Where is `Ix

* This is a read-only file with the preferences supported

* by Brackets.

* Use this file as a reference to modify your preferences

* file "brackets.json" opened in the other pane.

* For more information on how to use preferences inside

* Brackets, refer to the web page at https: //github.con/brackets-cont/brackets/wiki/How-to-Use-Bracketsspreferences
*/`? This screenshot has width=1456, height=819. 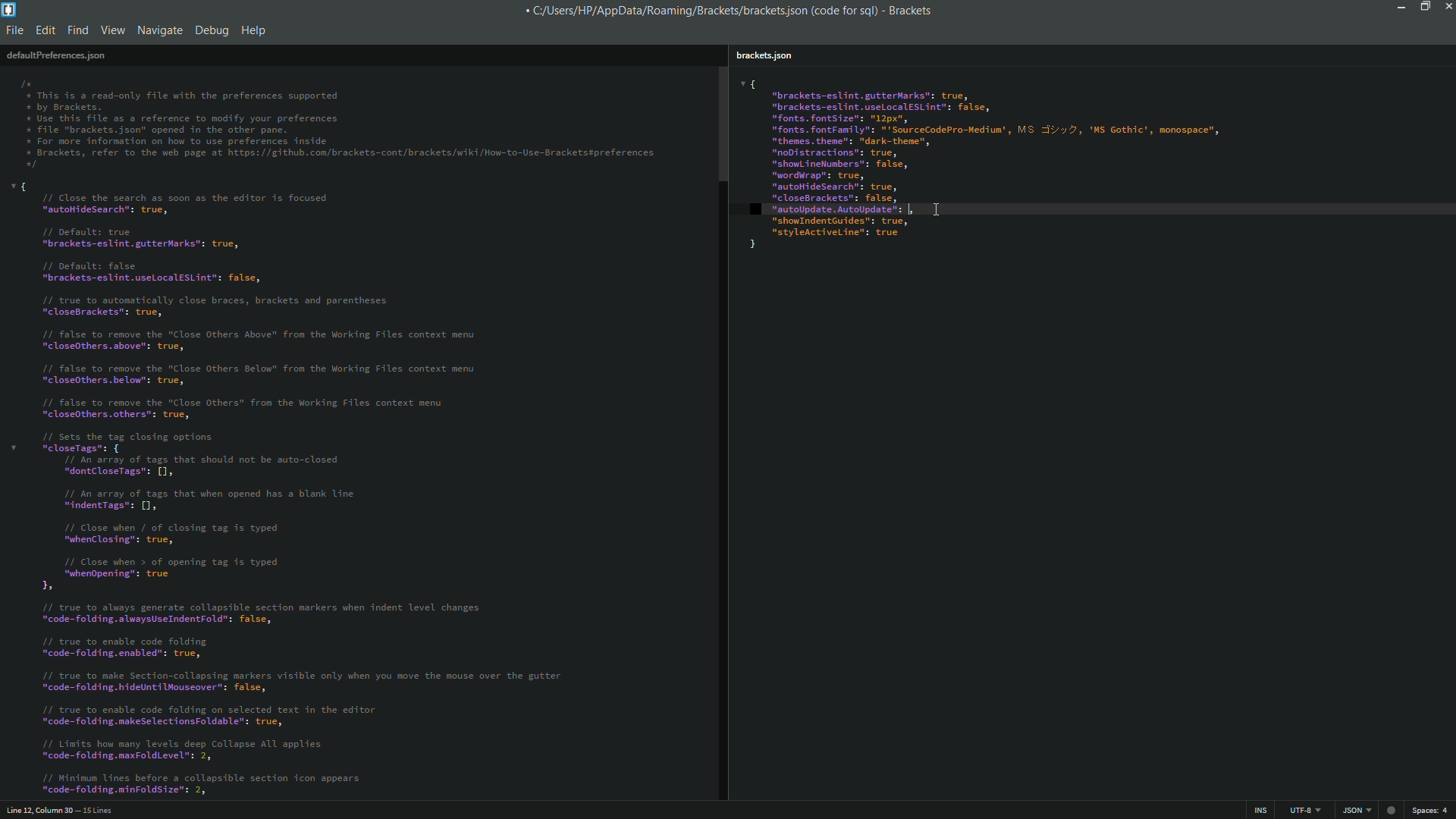
Ix

* This is a read-only file with the preferences supported

* by Brackets.

* Use this file as a reference to modify your preferences

* file "brackets.json" opened in the other pane.

* For more information on how to use preferences inside

* Brackets, refer to the web page at https: //github.con/brackets-cont/brackets/wiki/How-to-Use-Bracketsspreferences
*/ is located at coordinates (340, 121).